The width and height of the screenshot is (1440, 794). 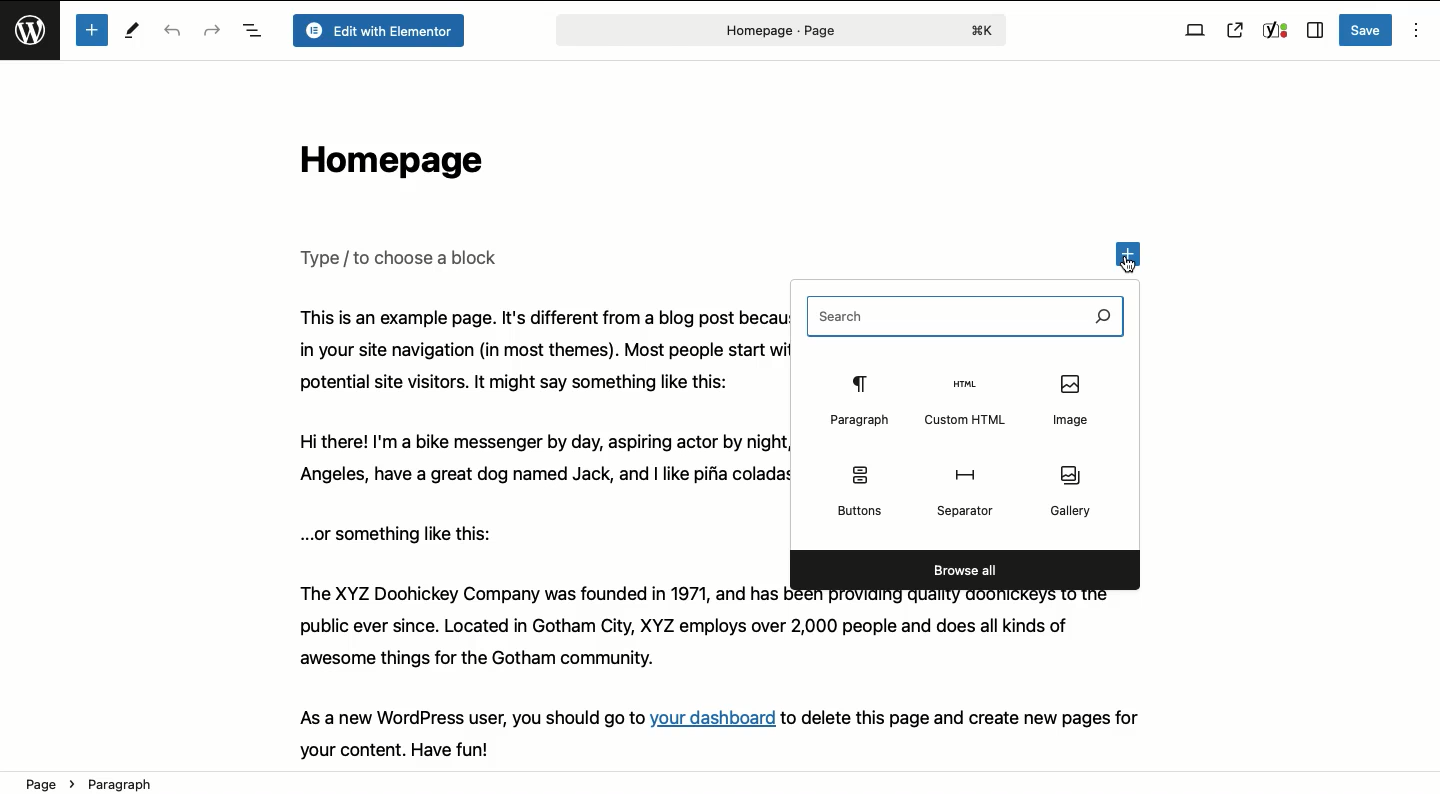 I want to click on Hi there! I'm a bike messenger by day, aspiring actor by night, and this is my website. | live in Los
Angeles, have a great dog named Jack, and | like pifia coladas. (And gettin’ caught in the rain.), so click(x=535, y=461).